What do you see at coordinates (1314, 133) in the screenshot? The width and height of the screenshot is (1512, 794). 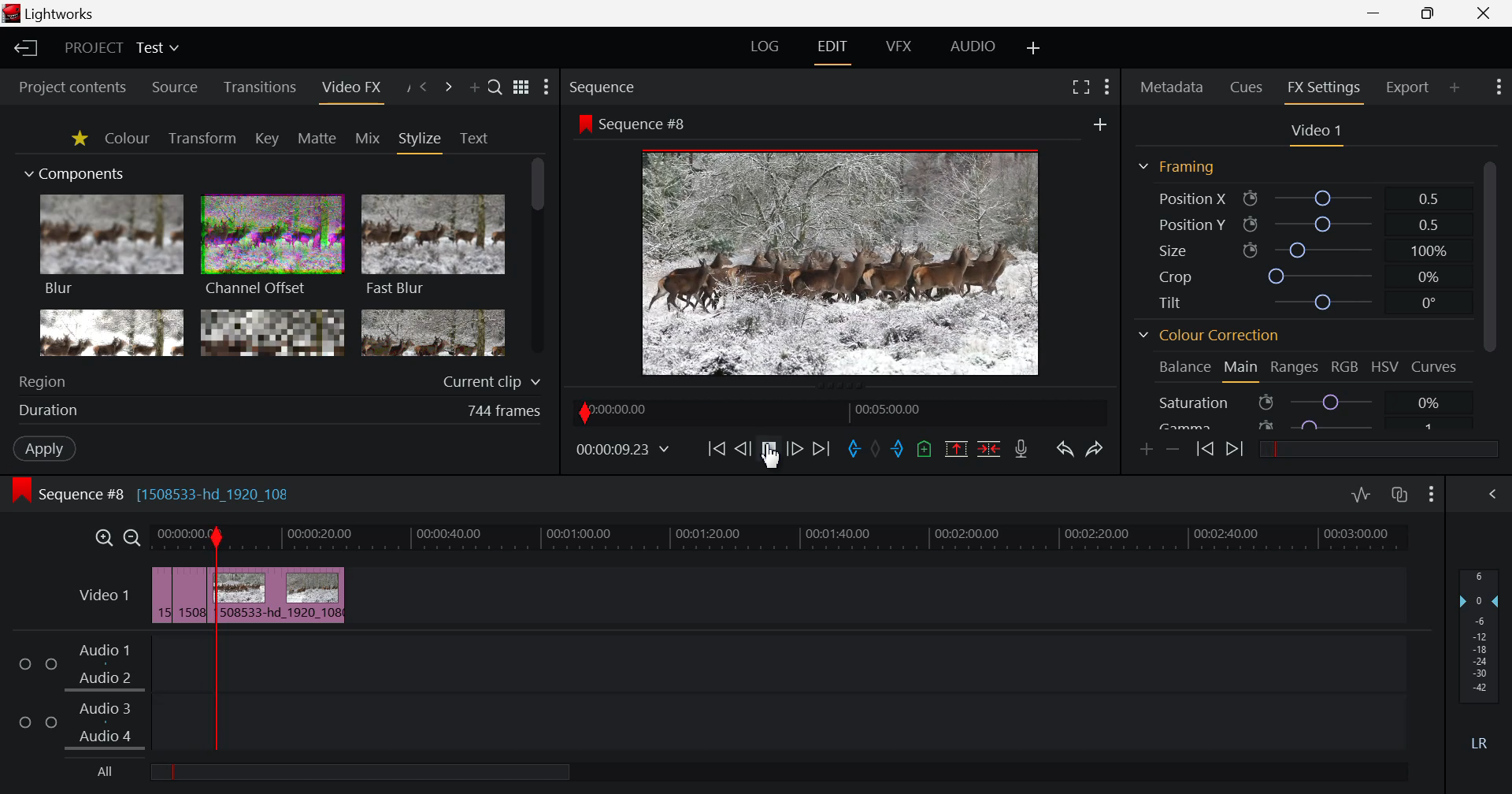 I see `Video Settings` at bounding box center [1314, 133].